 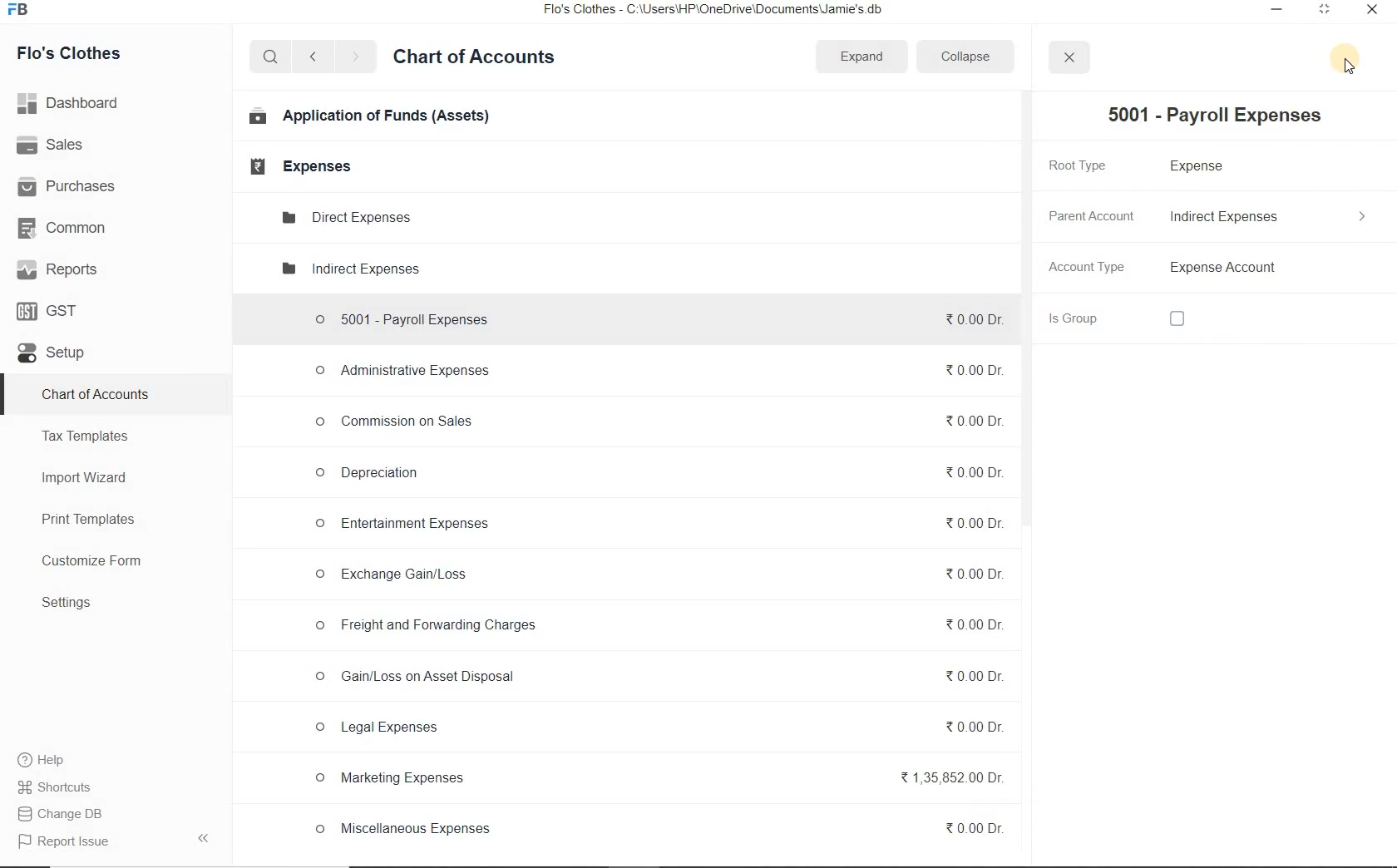 I want to click on Root Type, so click(x=1087, y=165).